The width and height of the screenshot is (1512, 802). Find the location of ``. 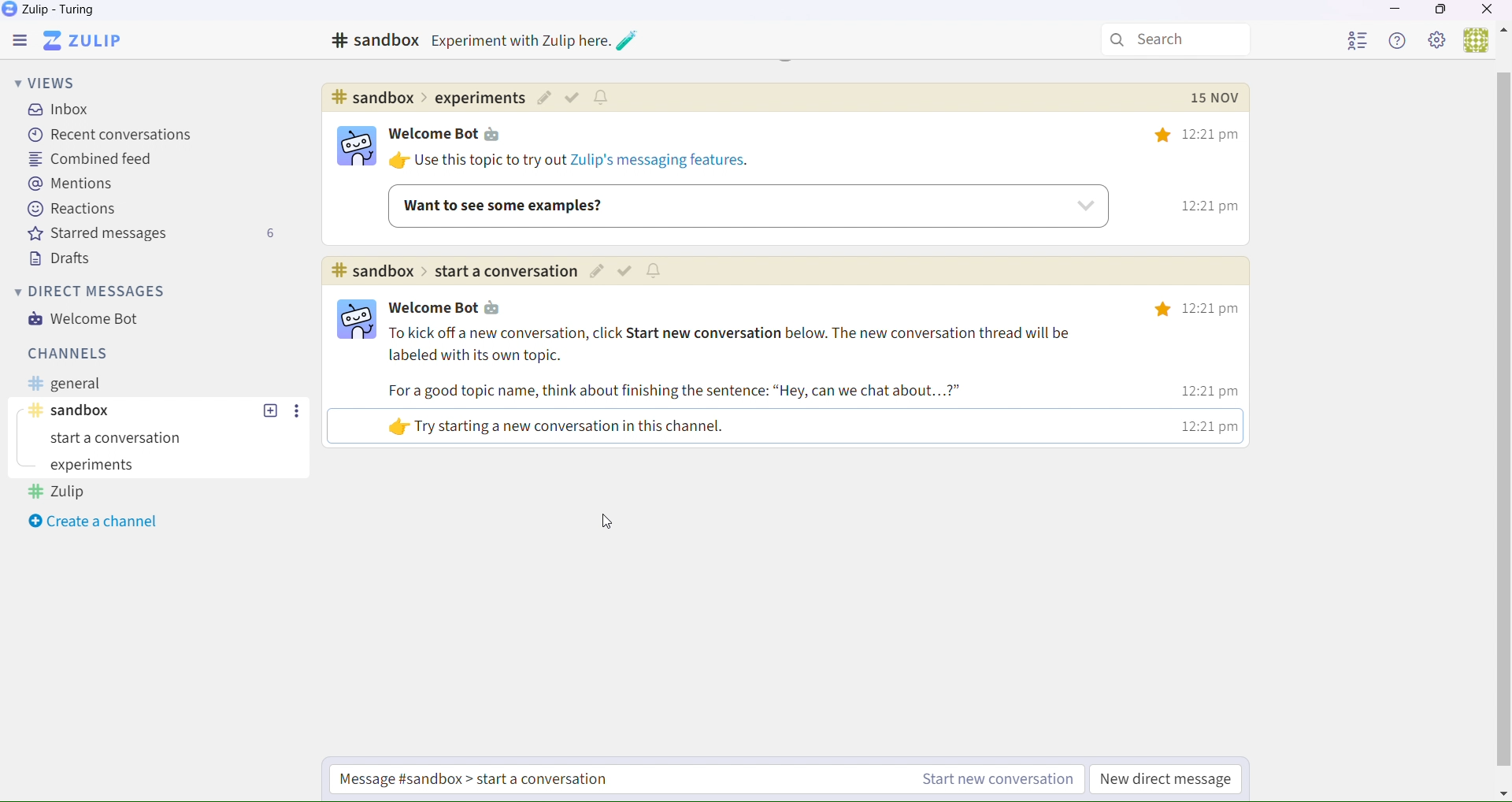

 is located at coordinates (1503, 793).